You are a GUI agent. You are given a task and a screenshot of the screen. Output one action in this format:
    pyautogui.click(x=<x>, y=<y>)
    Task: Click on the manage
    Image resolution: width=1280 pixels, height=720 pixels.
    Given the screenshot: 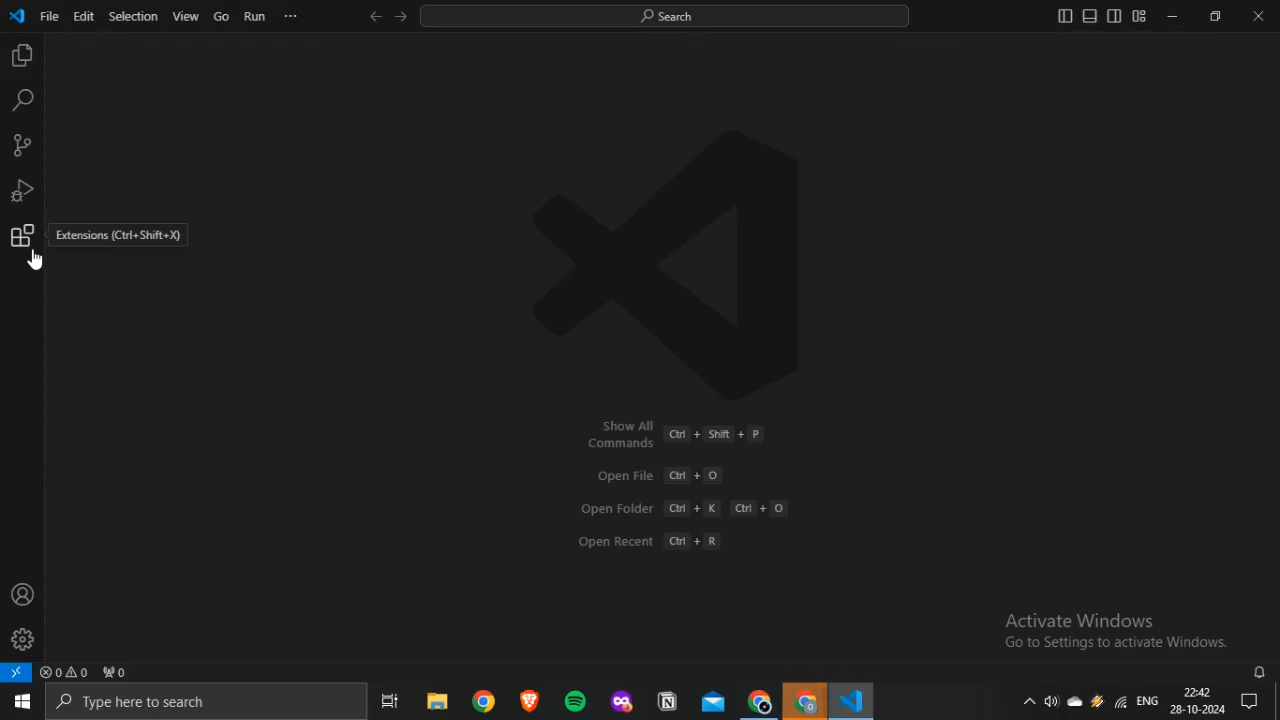 What is the action you would take?
    pyautogui.click(x=22, y=639)
    